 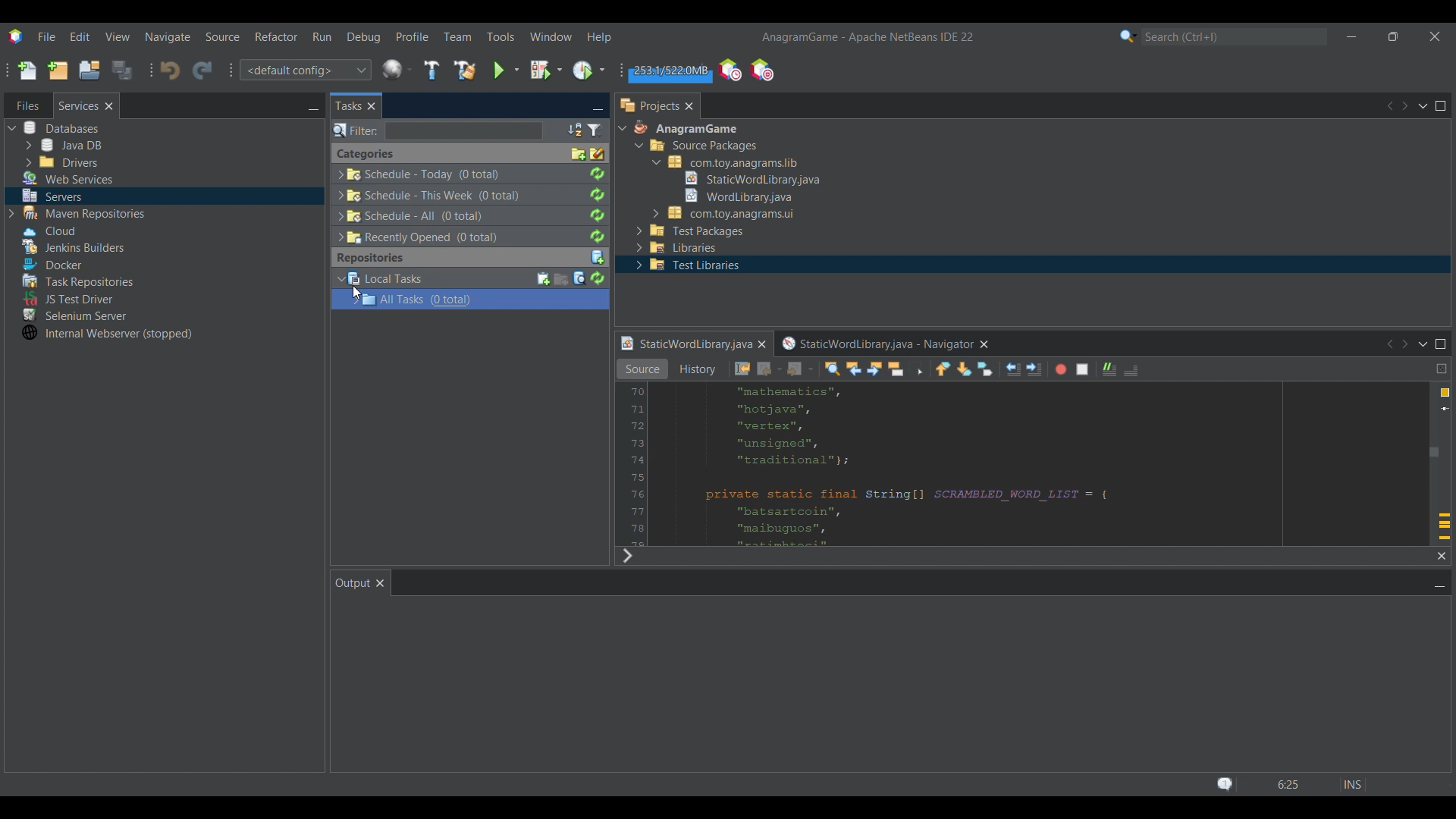 What do you see at coordinates (202, 71) in the screenshot?
I see `Redo` at bounding box center [202, 71].